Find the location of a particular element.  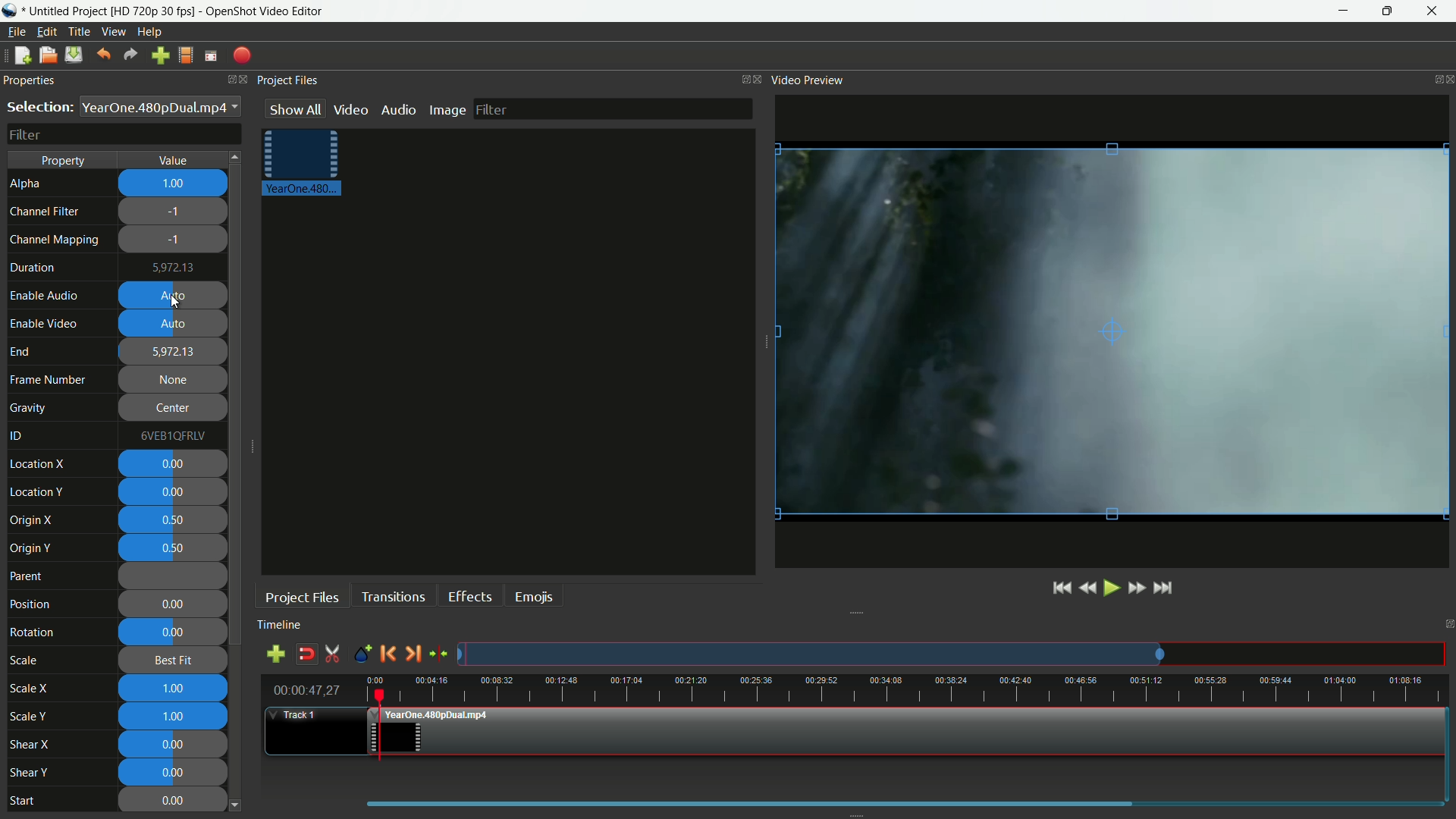

help menu is located at coordinates (151, 31).